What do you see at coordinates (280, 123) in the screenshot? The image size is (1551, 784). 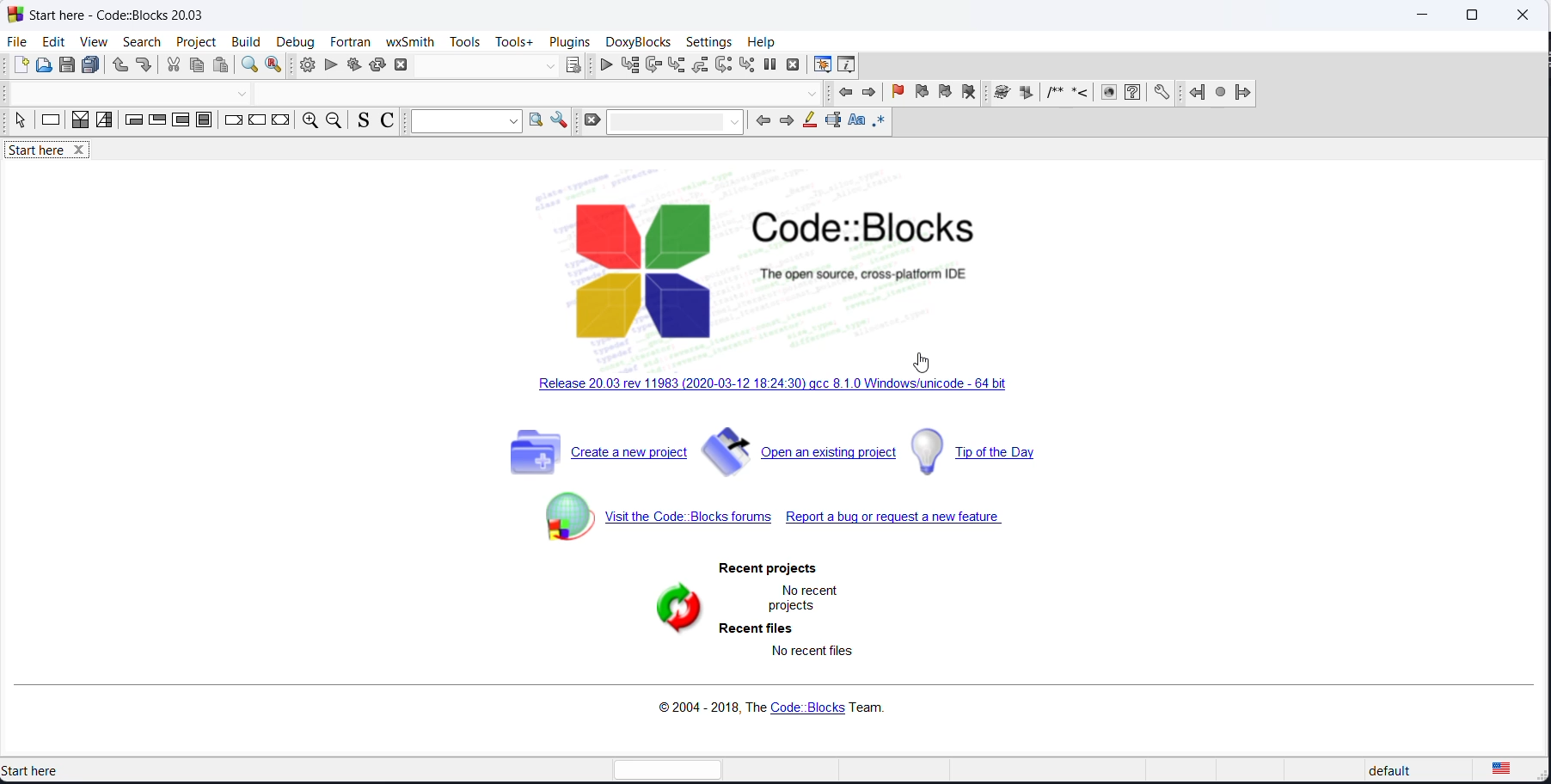 I see `return instruction` at bounding box center [280, 123].